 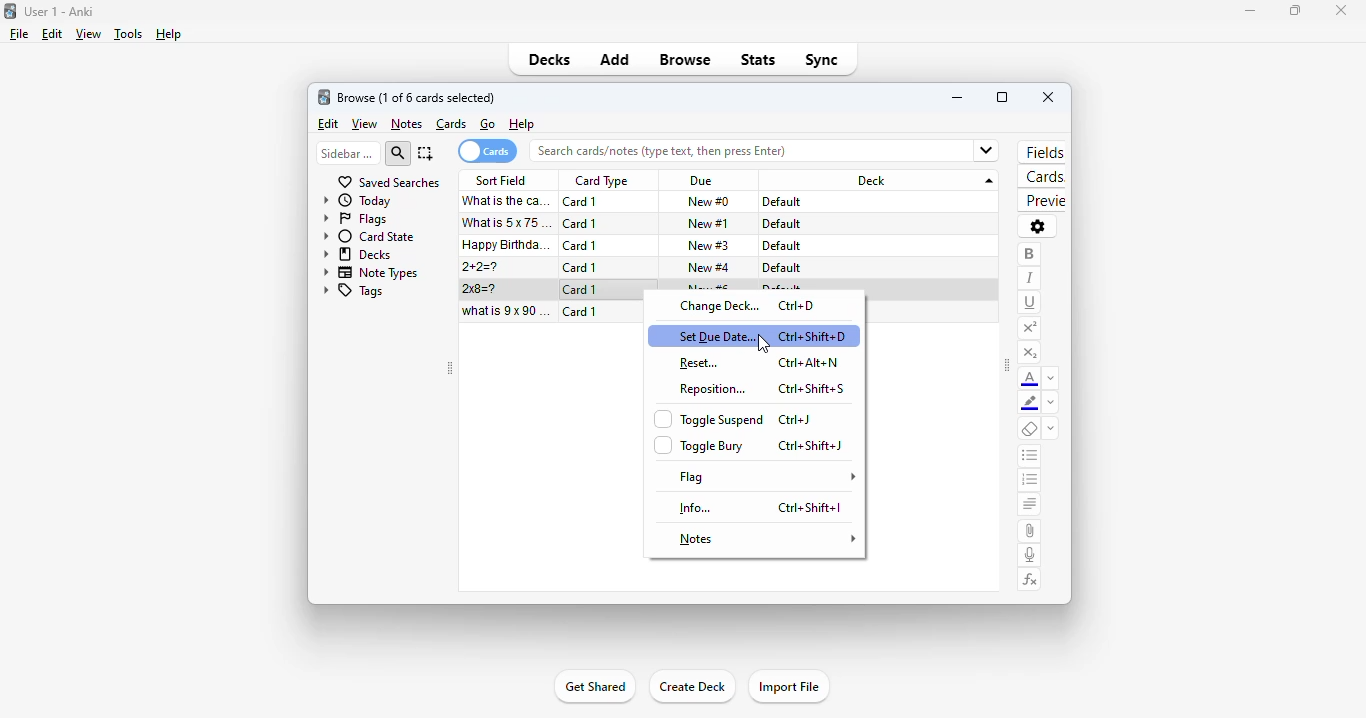 What do you see at coordinates (358, 201) in the screenshot?
I see `today` at bounding box center [358, 201].